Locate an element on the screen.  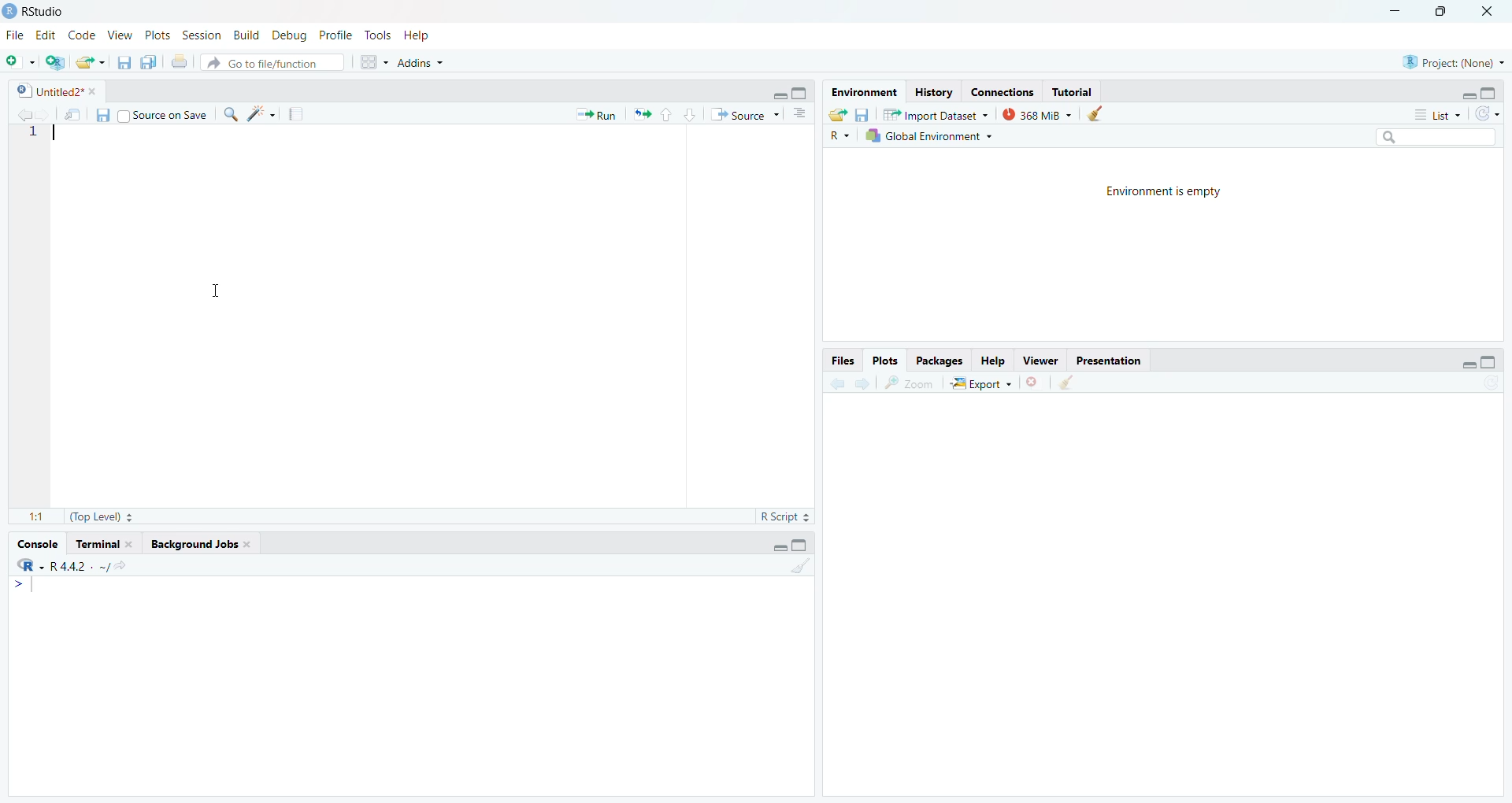
clear is located at coordinates (1098, 114).